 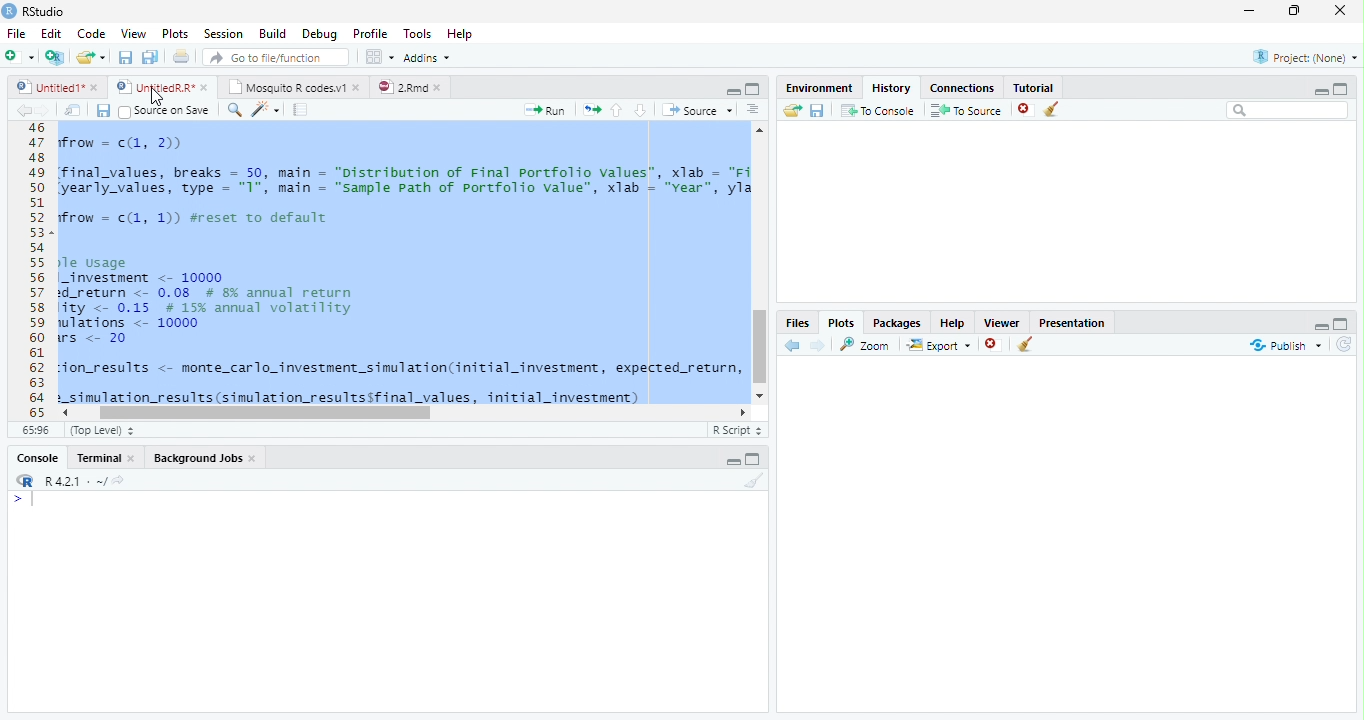 I want to click on Plots, so click(x=841, y=322).